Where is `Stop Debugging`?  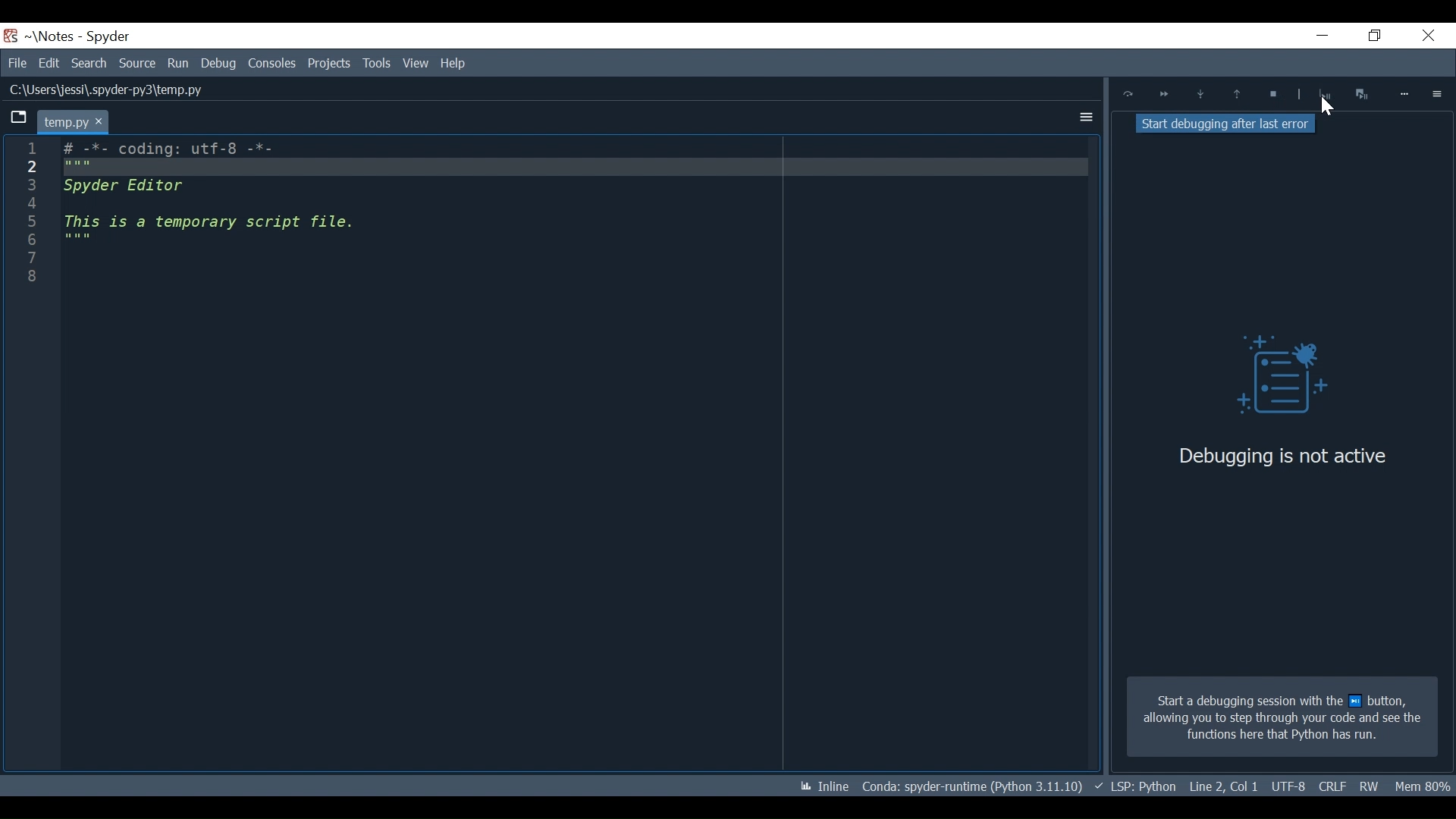
Stop Debugging is located at coordinates (1324, 94).